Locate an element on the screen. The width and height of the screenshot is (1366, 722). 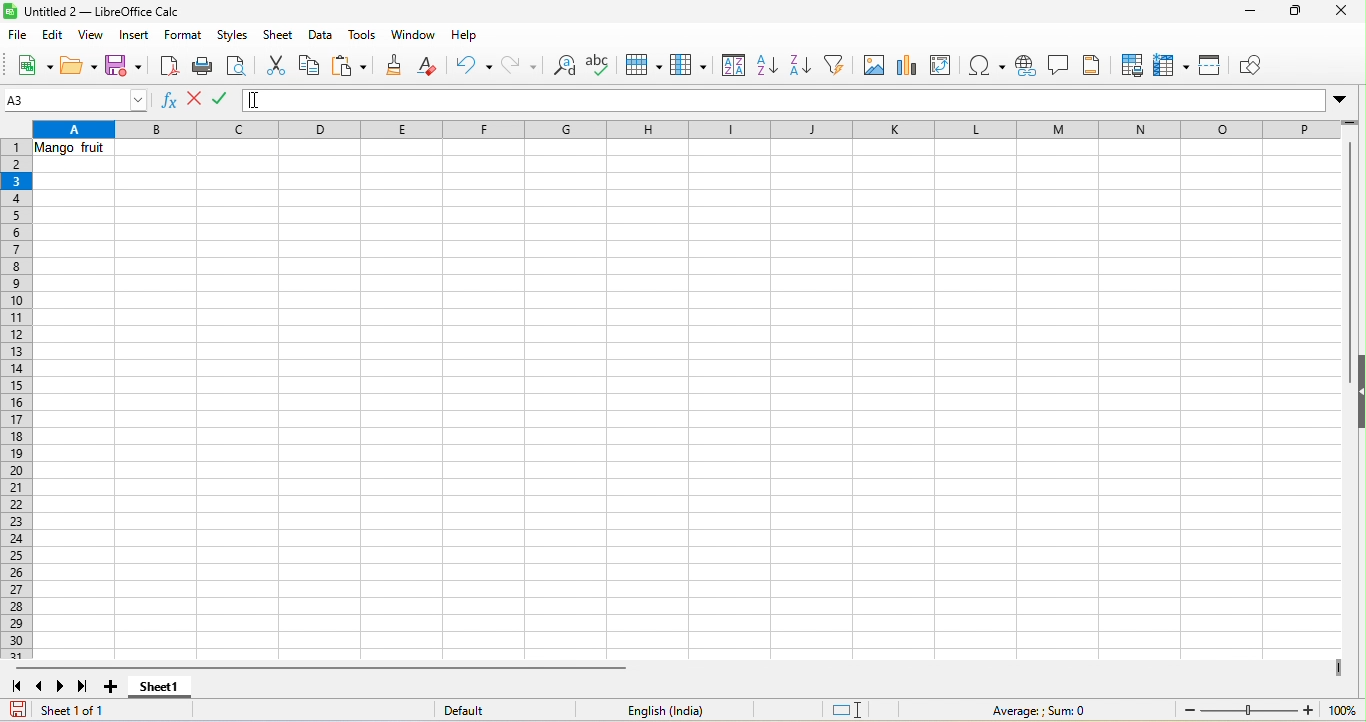
horizontal scroll bar is located at coordinates (314, 667).